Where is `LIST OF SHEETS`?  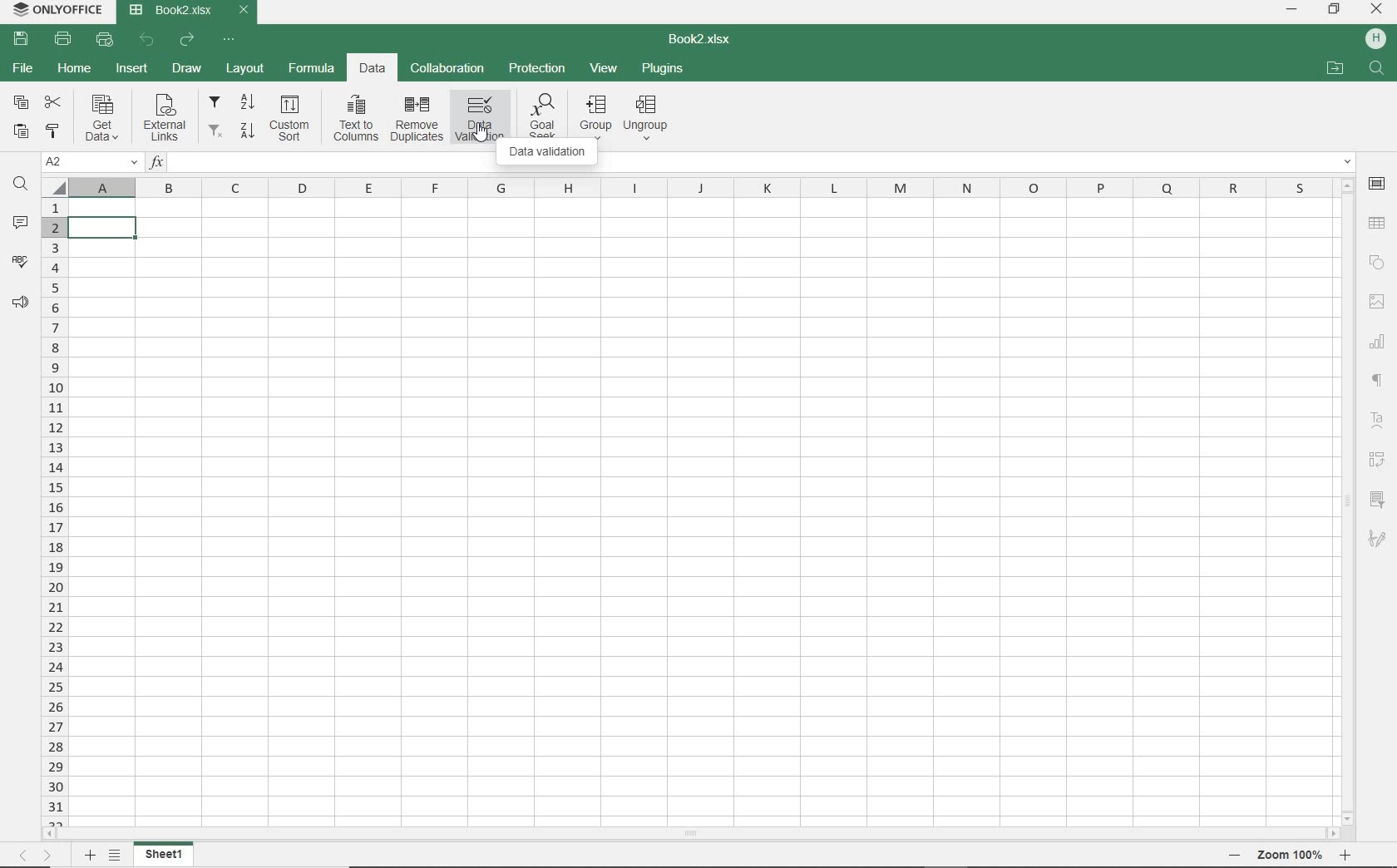 LIST OF SHEETS is located at coordinates (118, 856).